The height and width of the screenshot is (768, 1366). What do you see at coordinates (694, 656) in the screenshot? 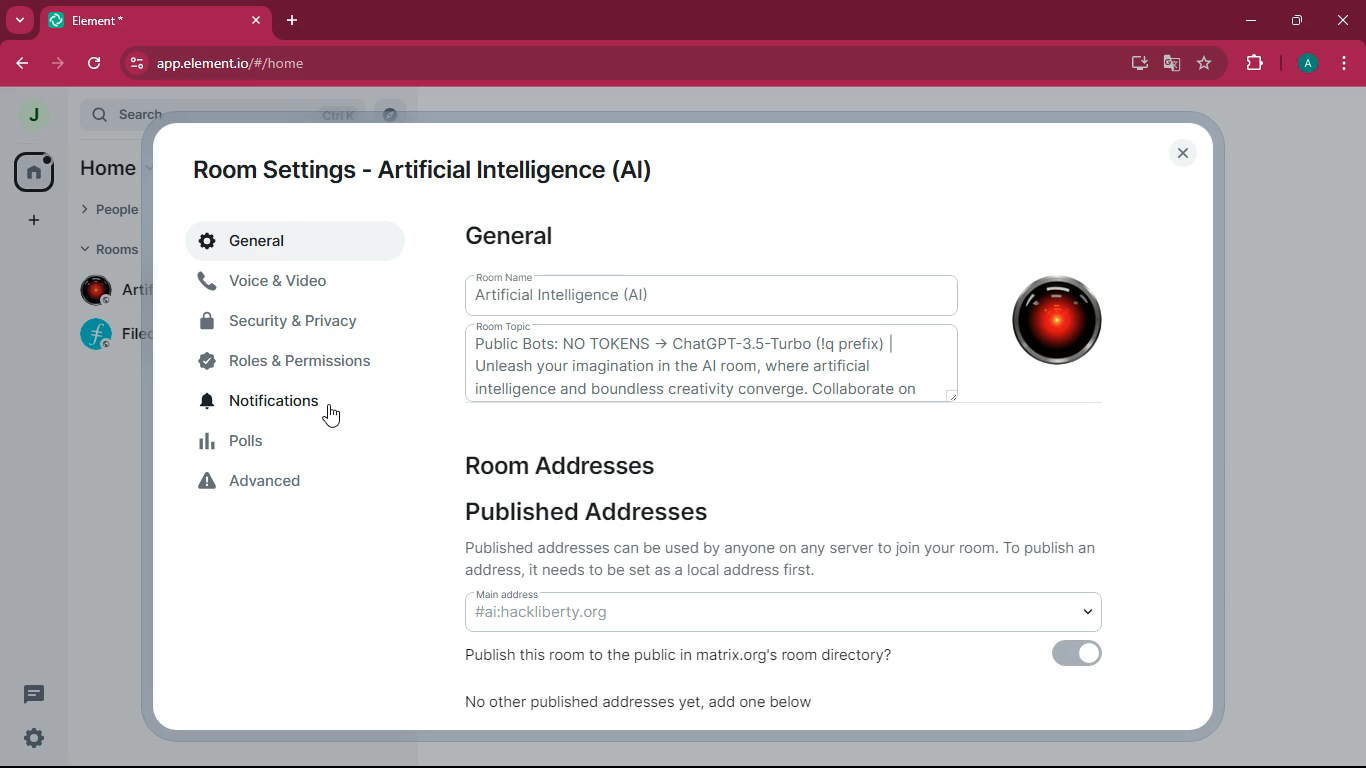
I see `publish room` at bounding box center [694, 656].